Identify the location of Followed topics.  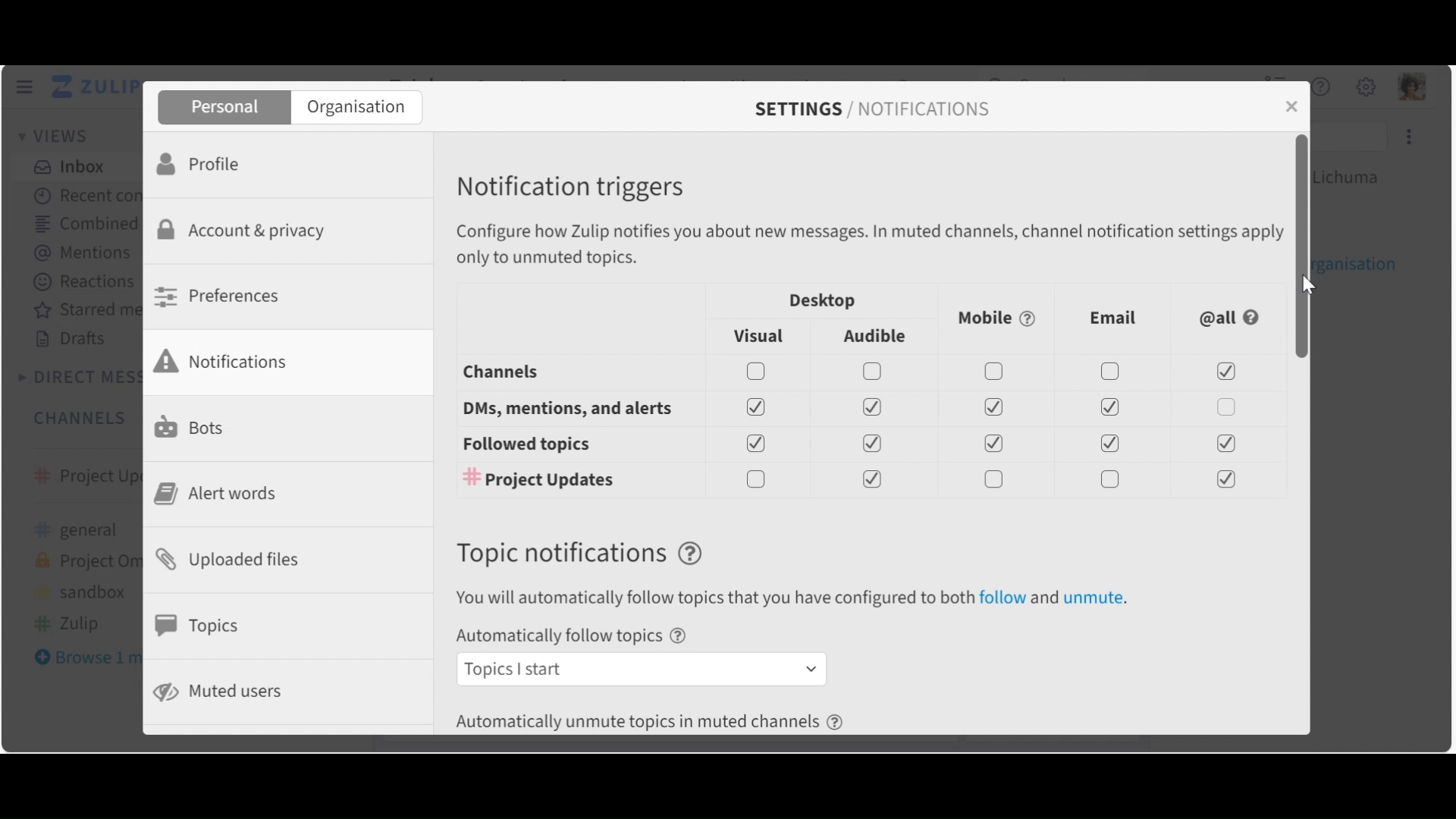
(857, 445).